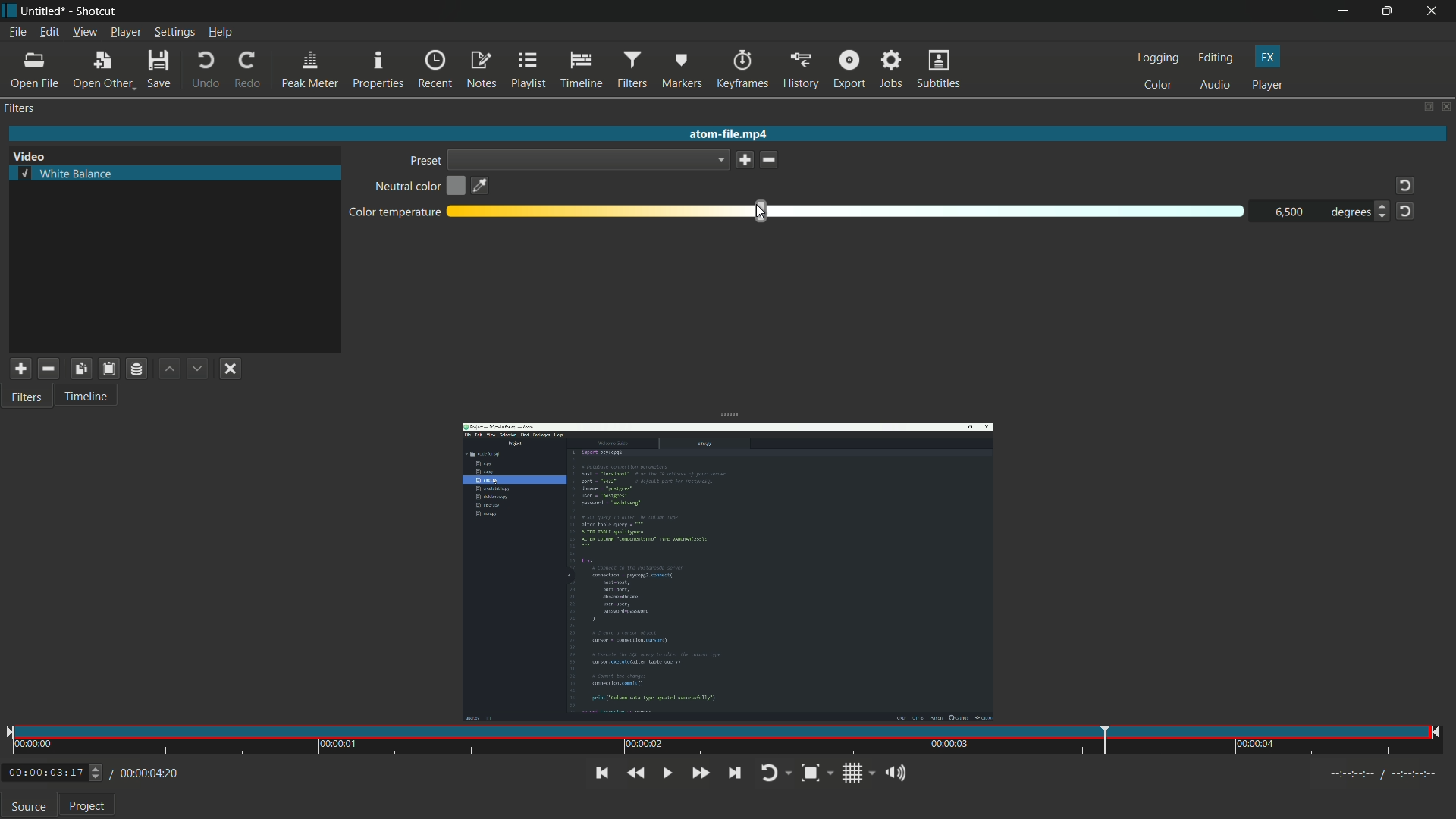 This screenshot has width=1456, height=819. What do you see at coordinates (169, 369) in the screenshot?
I see `move filter up` at bounding box center [169, 369].